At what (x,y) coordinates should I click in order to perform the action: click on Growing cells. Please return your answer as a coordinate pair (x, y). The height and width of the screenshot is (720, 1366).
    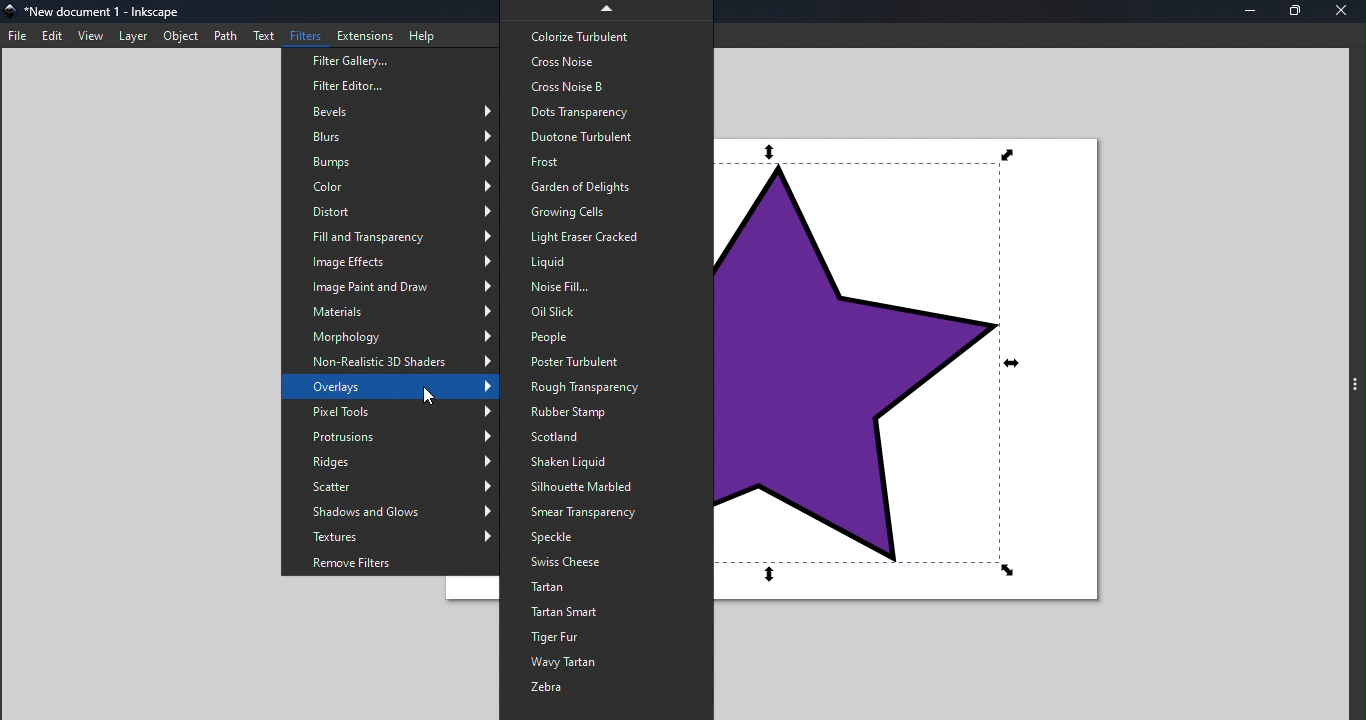
    Looking at the image, I should click on (605, 210).